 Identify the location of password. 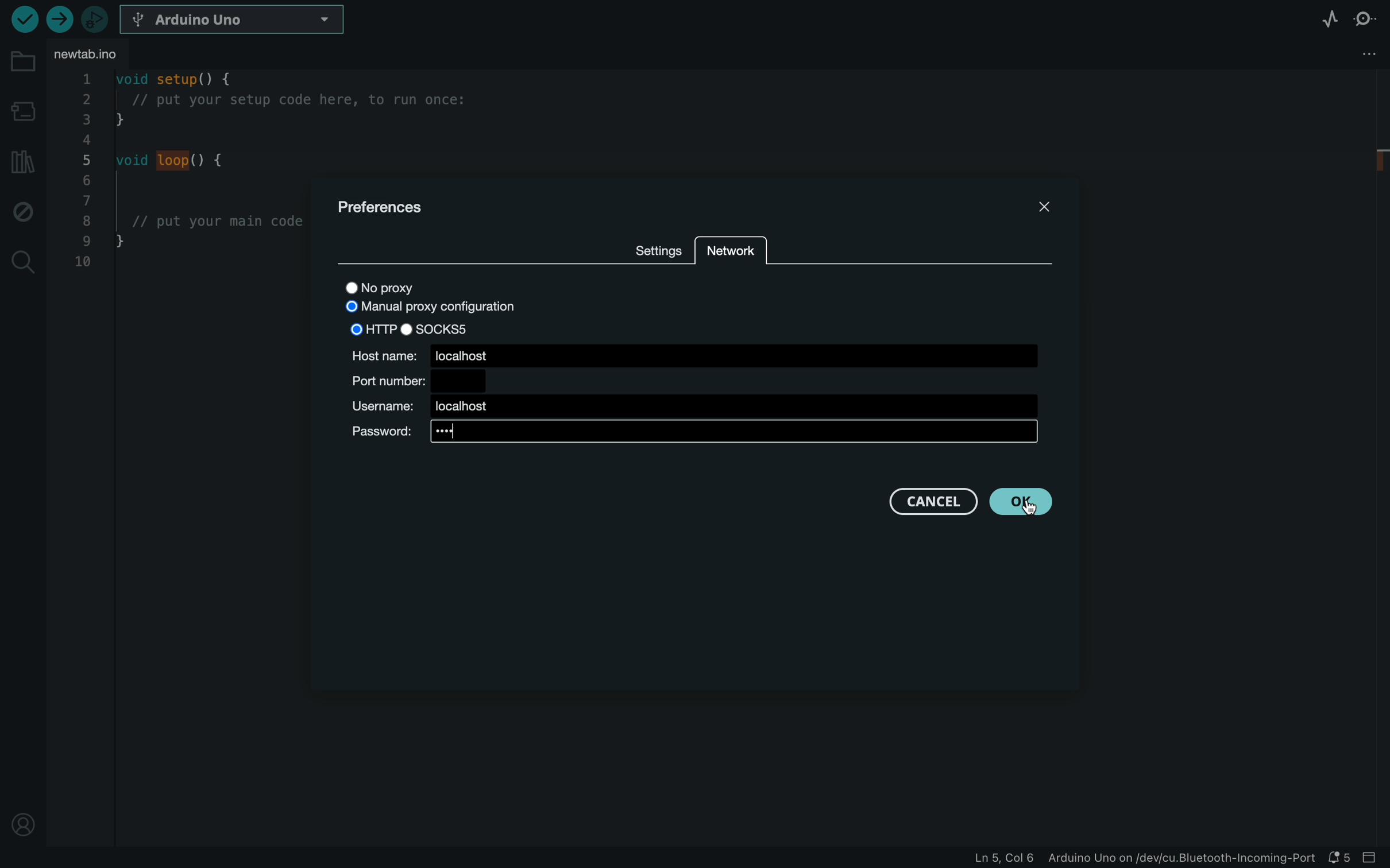
(691, 435).